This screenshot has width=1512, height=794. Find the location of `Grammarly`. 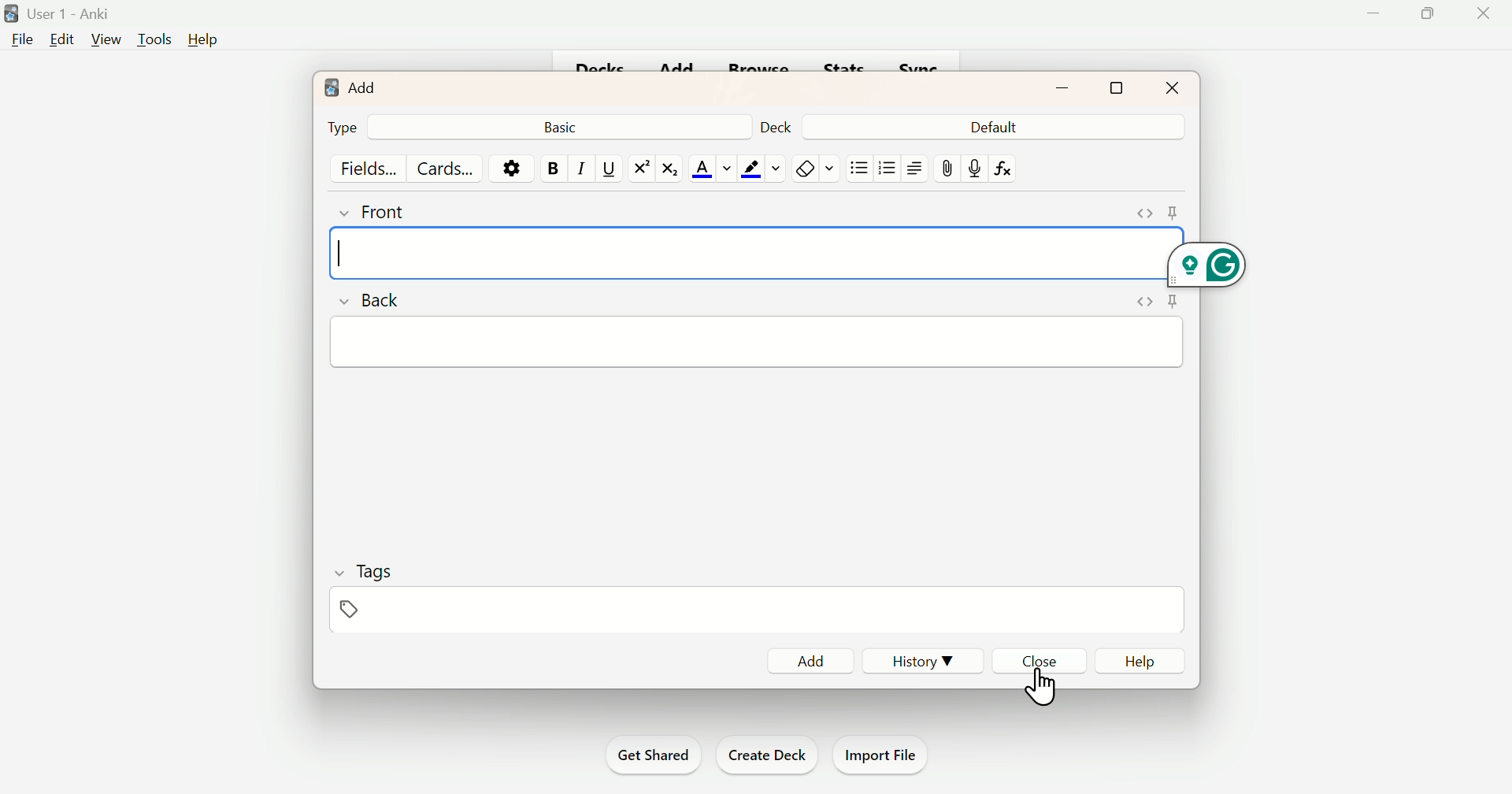

Grammarly is located at coordinates (1220, 263).